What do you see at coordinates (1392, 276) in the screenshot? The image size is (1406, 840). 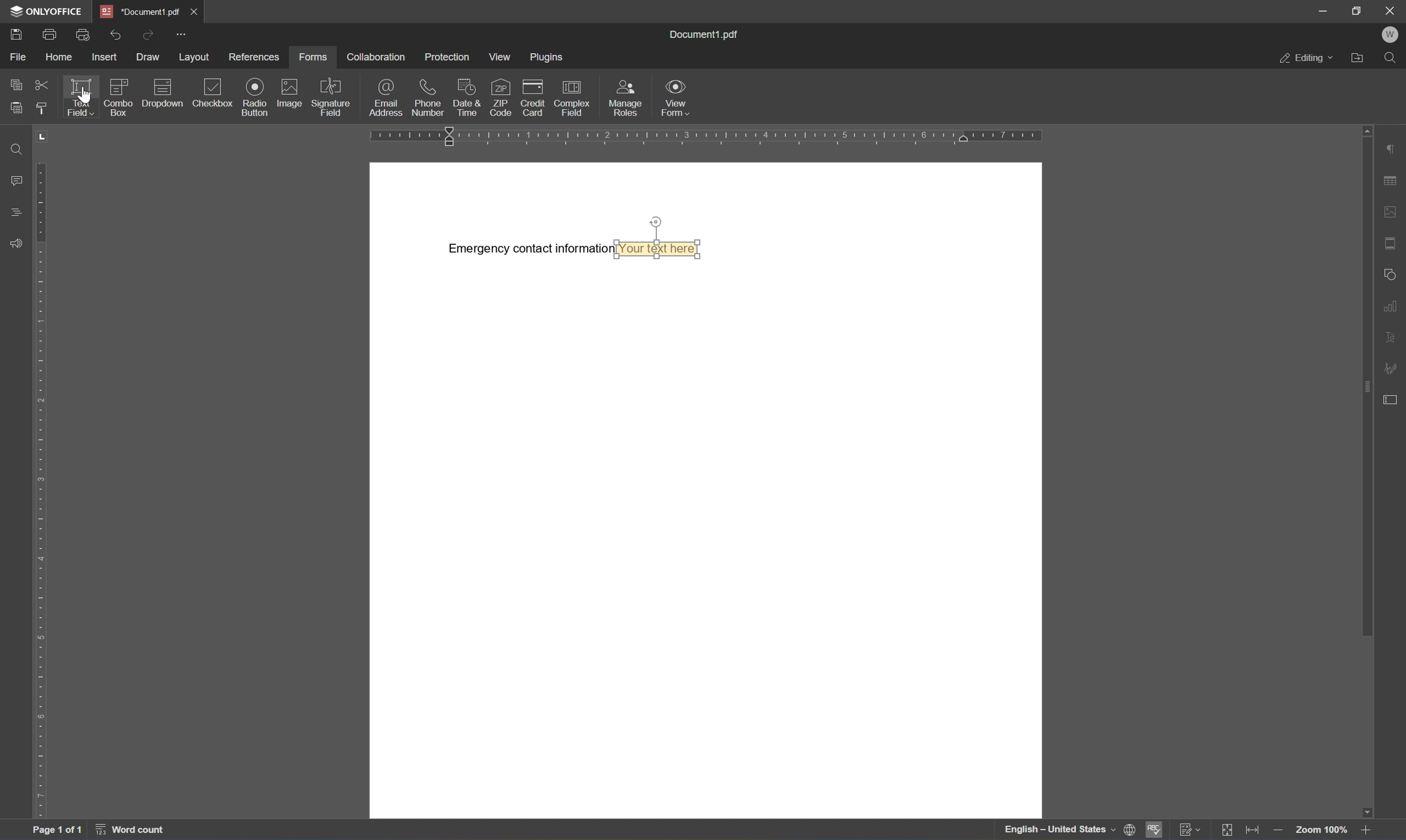 I see `shape settings` at bounding box center [1392, 276].